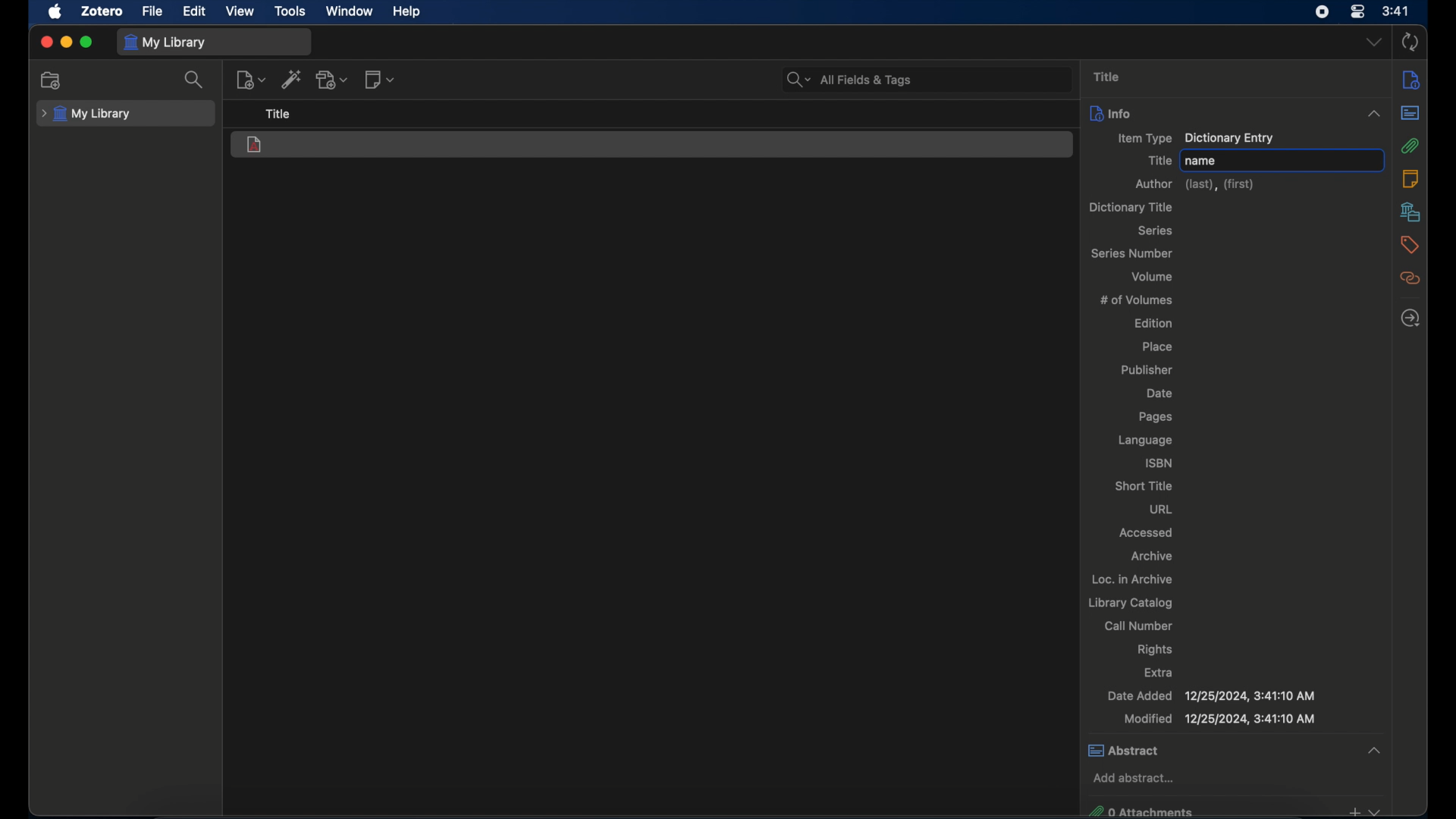  Describe the element at coordinates (256, 146) in the screenshot. I see `dictionary entry` at that location.